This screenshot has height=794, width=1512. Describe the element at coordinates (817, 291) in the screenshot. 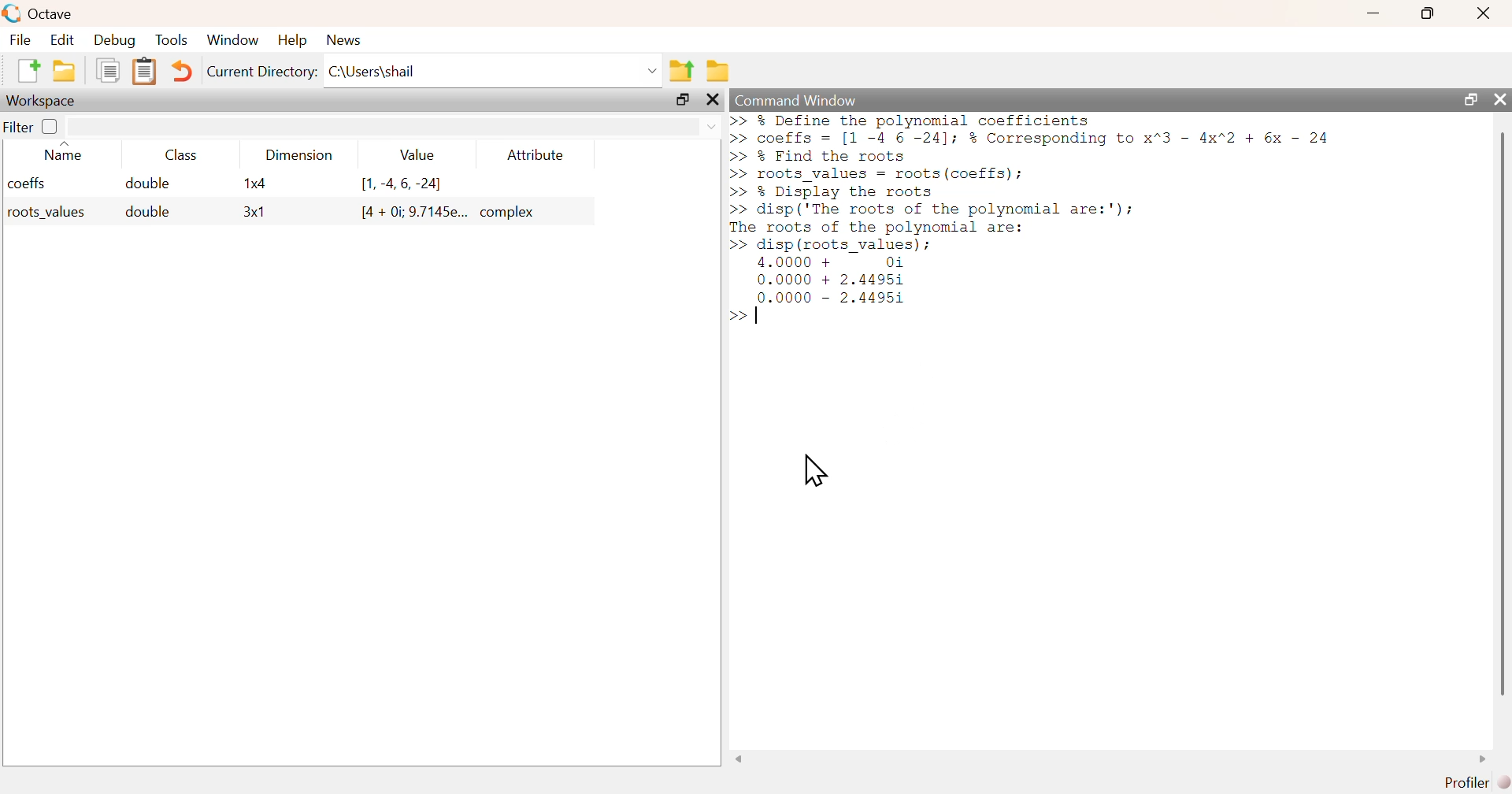

I see `4.0000 + 0i0.0000 + 2.449510.0000 - 2.44951>> ` at that location.